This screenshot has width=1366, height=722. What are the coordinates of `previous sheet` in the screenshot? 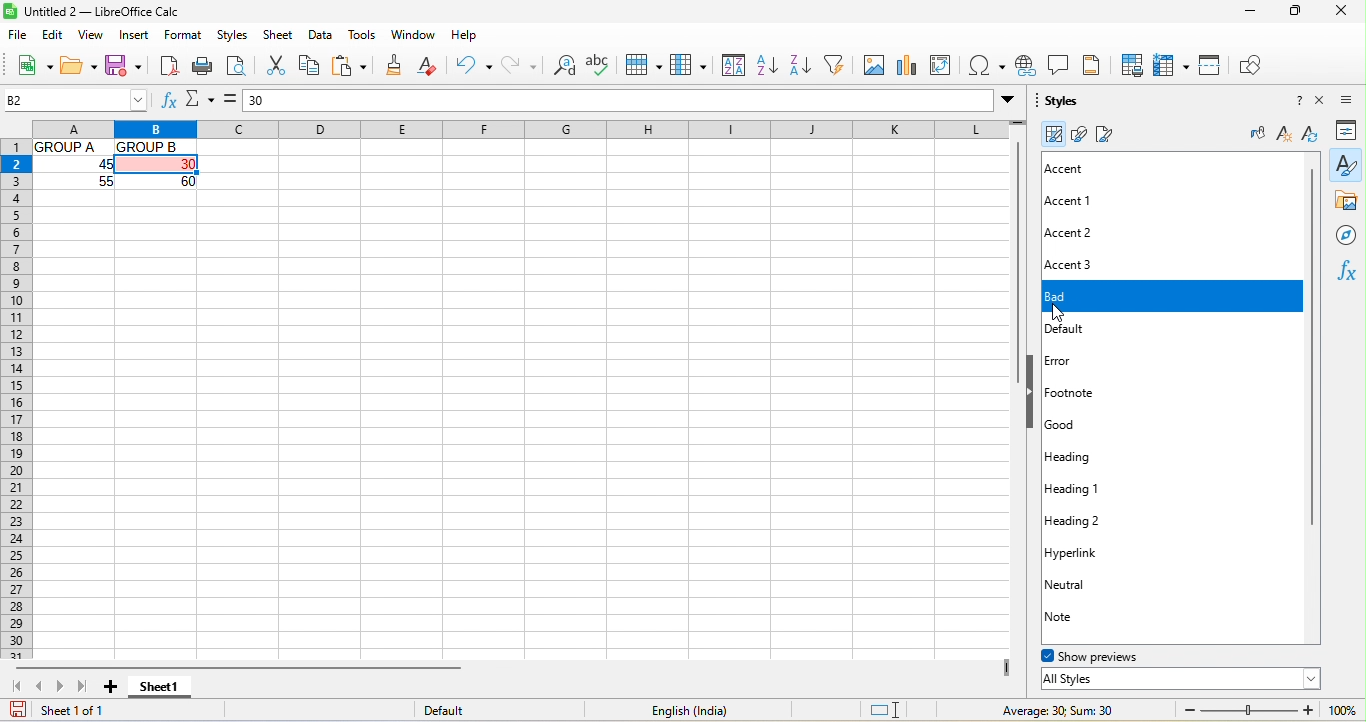 It's located at (41, 687).